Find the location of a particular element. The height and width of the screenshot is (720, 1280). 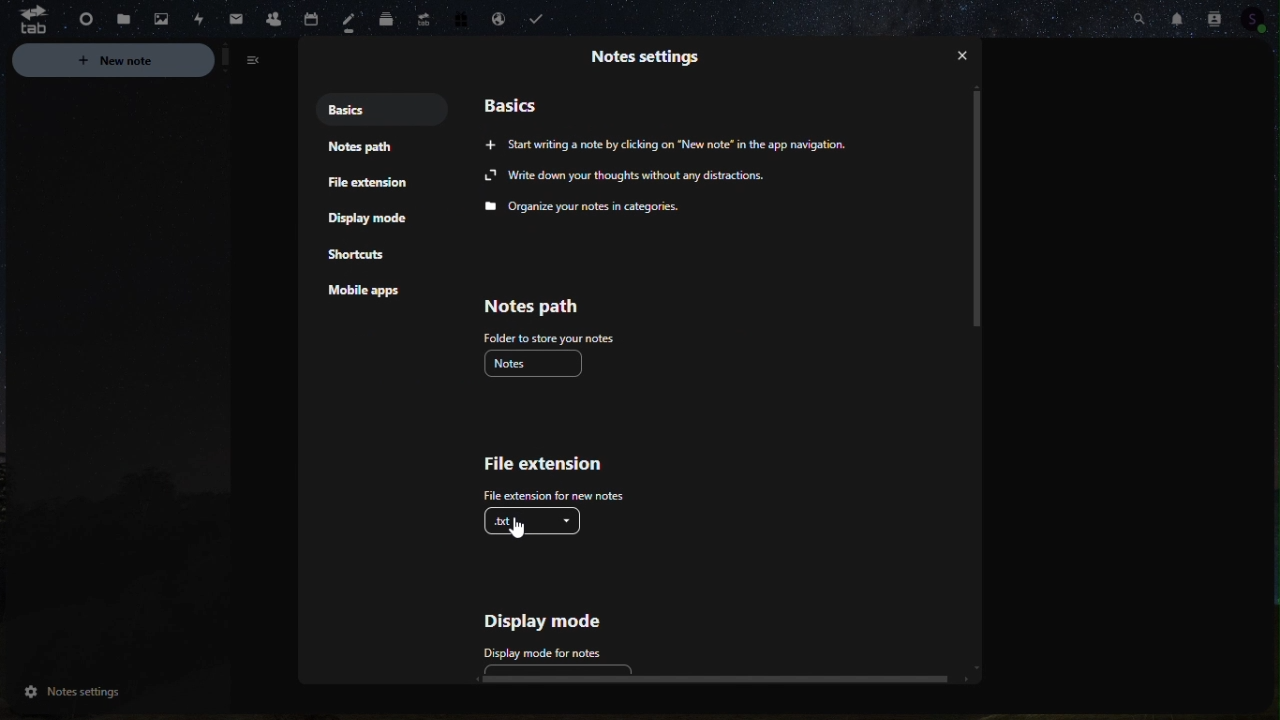

Calendar is located at coordinates (319, 15).